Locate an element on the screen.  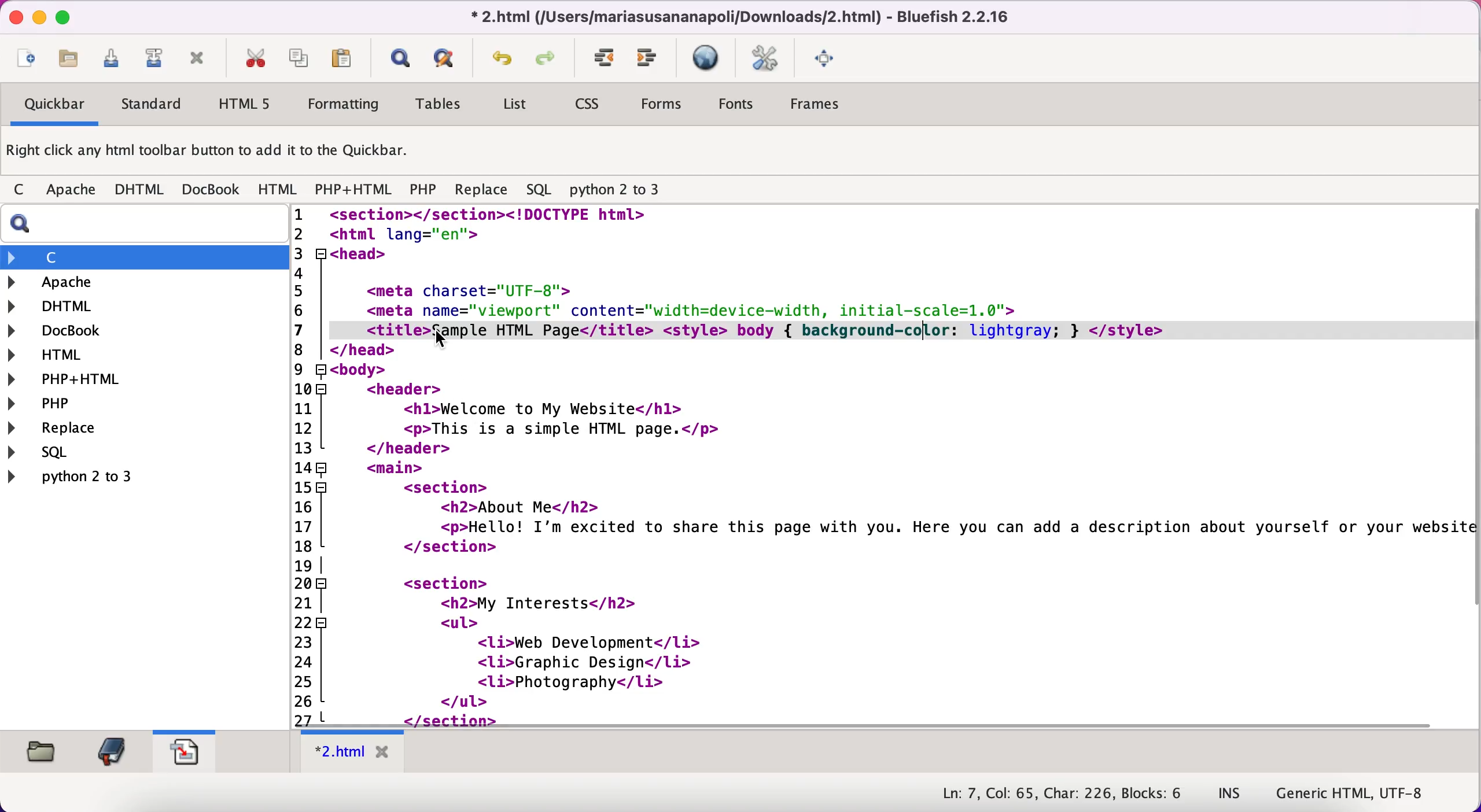
docbook is located at coordinates (212, 189).